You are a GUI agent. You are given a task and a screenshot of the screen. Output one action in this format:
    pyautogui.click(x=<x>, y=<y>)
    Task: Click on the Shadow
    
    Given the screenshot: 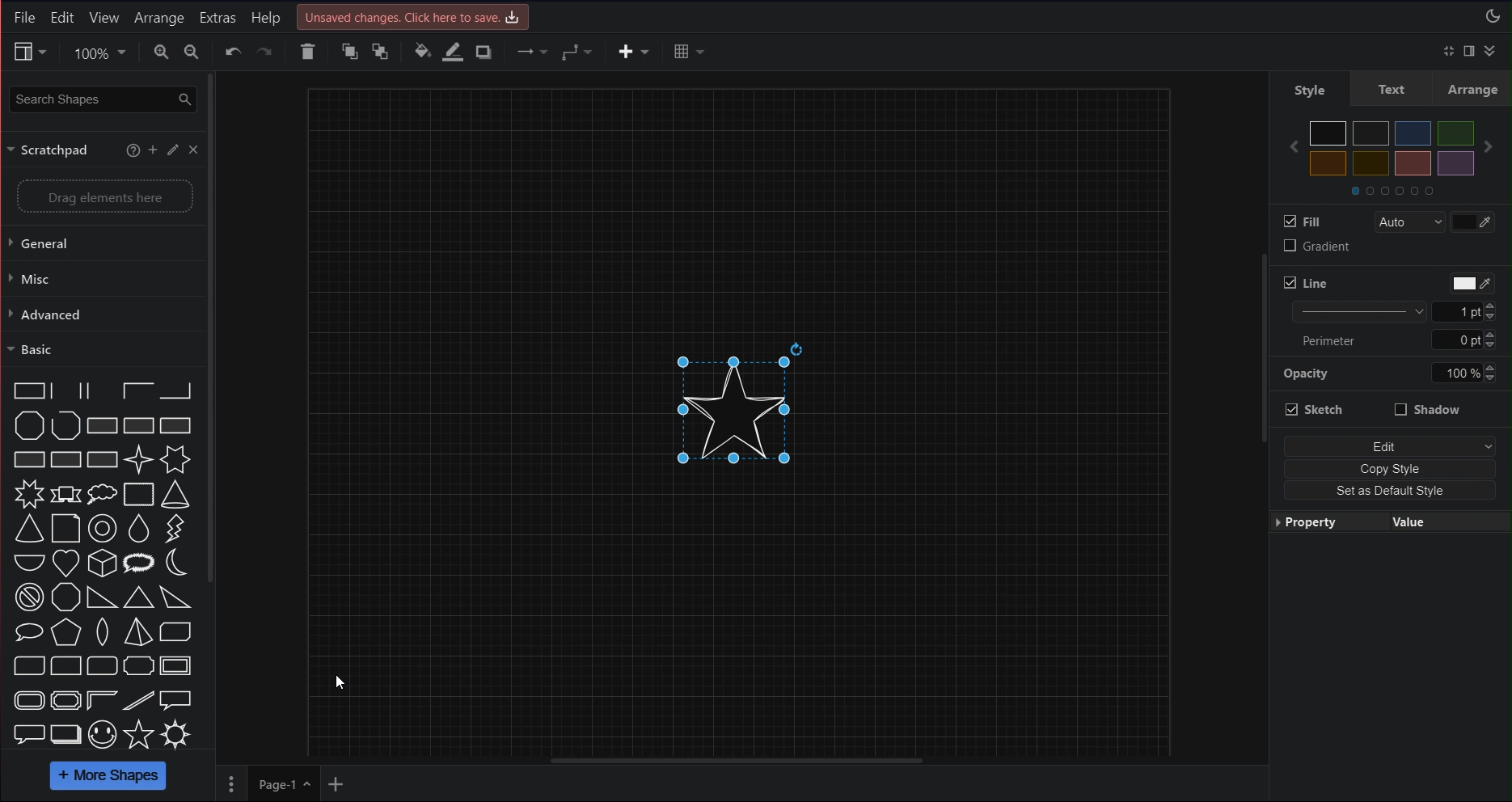 What is the action you would take?
    pyautogui.click(x=1428, y=409)
    